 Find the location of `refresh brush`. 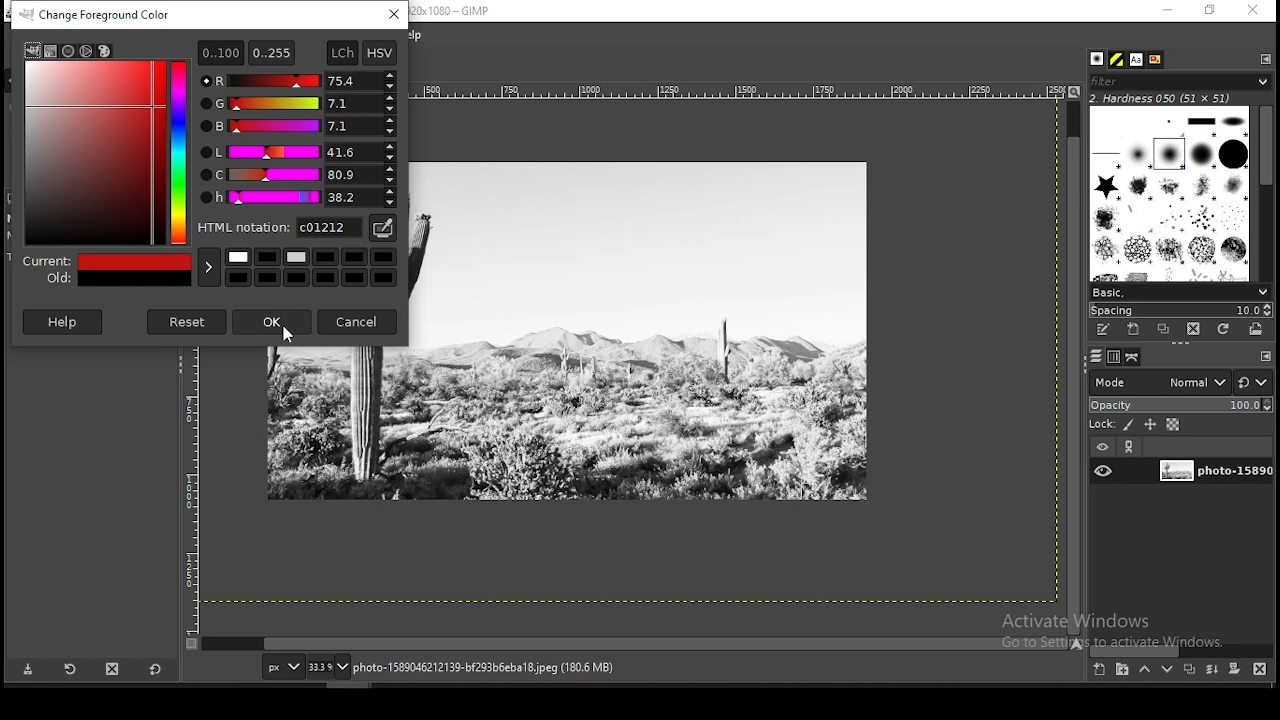

refresh brush is located at coordinates (1223, 329).